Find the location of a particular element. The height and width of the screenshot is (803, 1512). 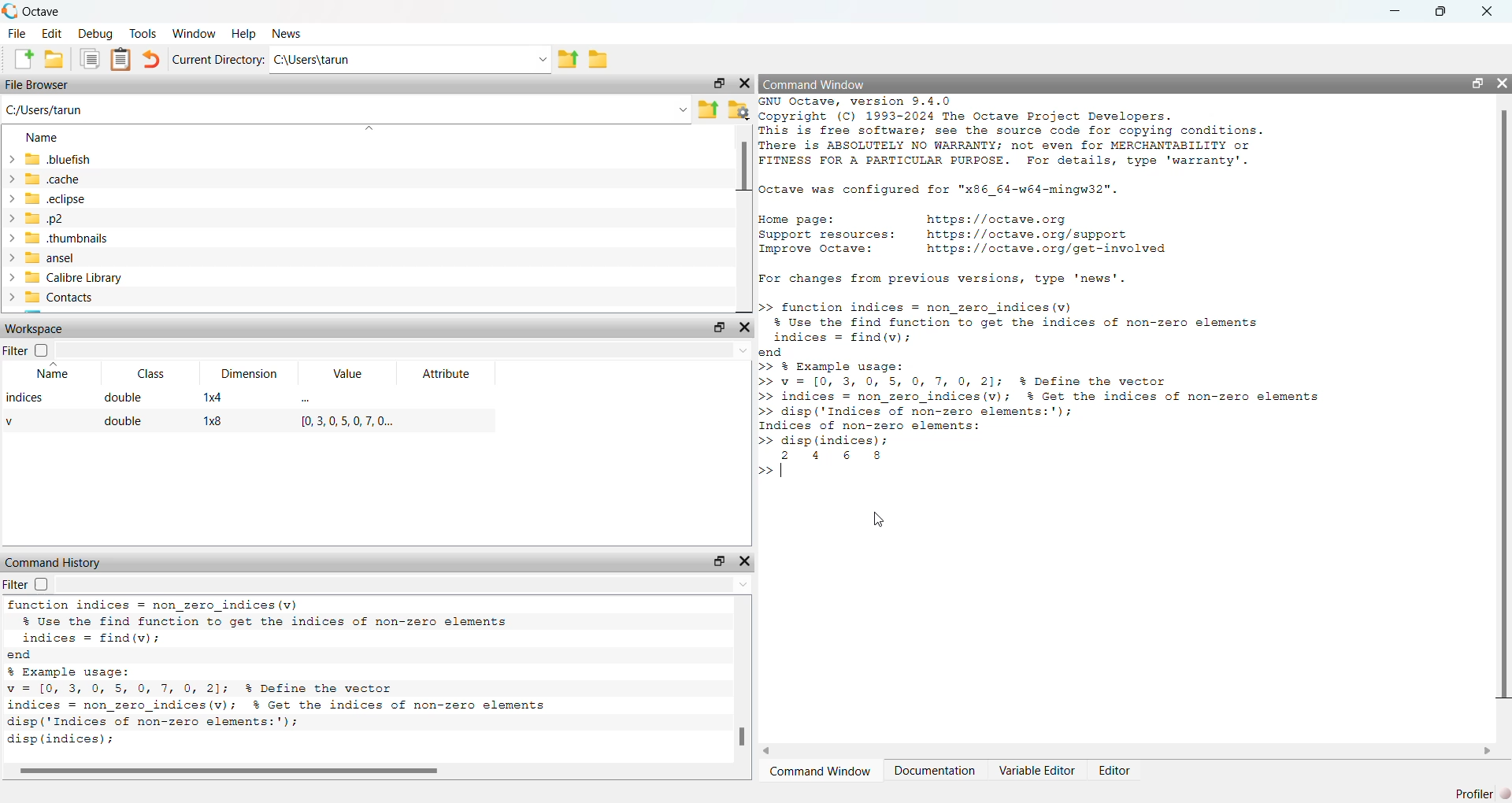

vertical scroll bar is located at coordinates (739, 683).